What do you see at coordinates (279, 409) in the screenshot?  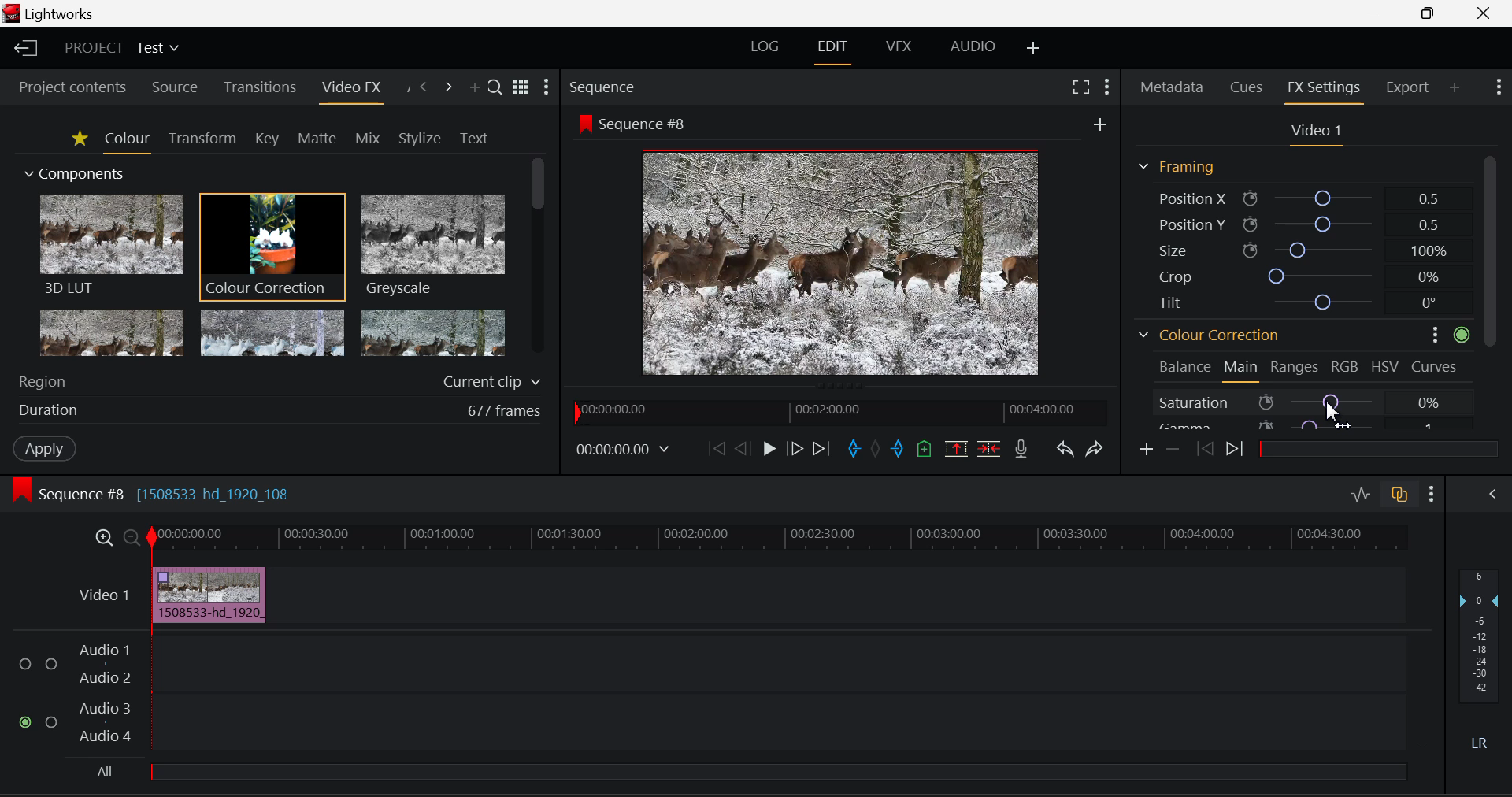 I see `Duration` at bounding box center [279, 409].